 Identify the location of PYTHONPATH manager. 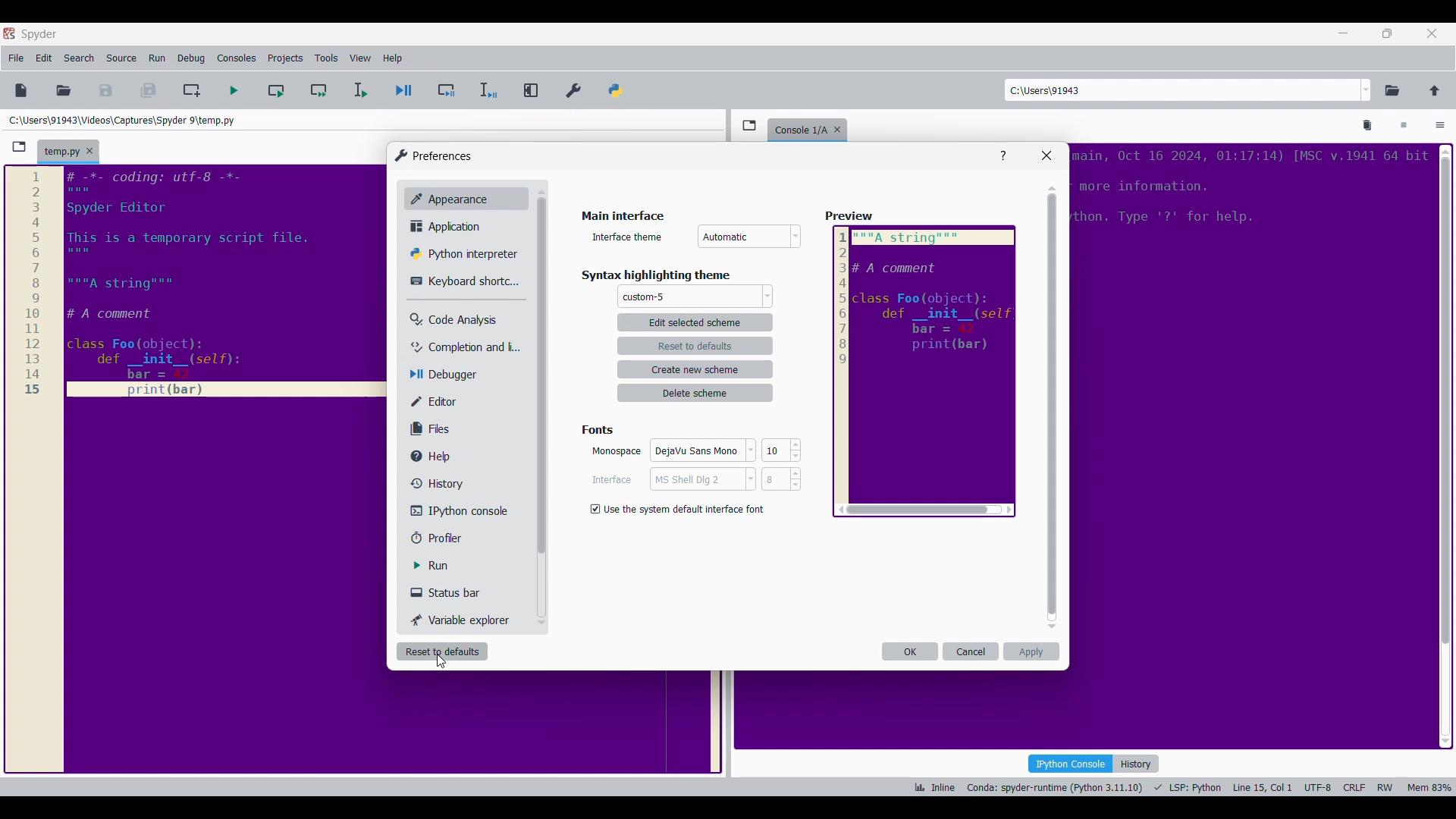
(617, 90).